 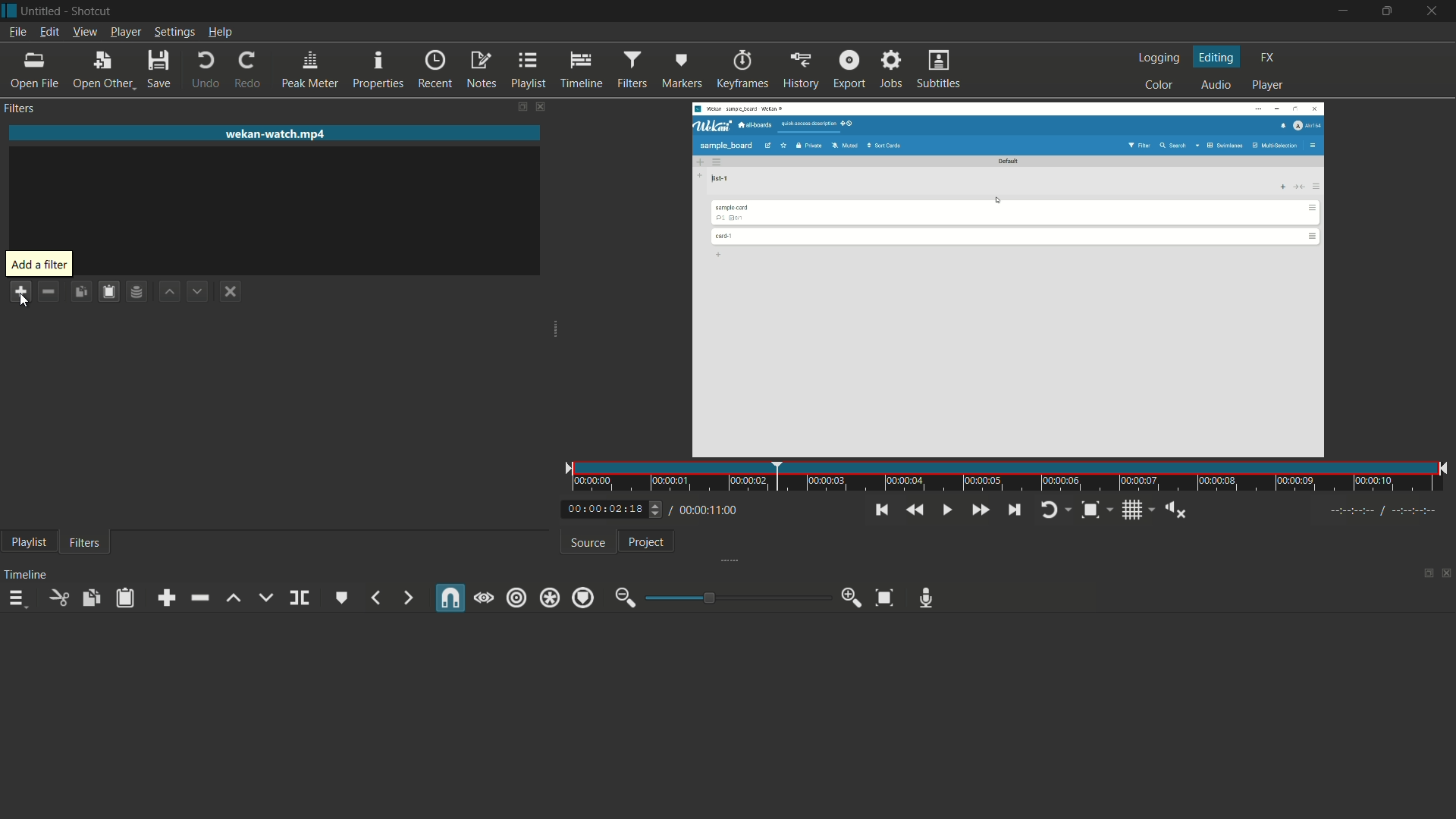 I want to click on app name, so click(x=93, y=11).